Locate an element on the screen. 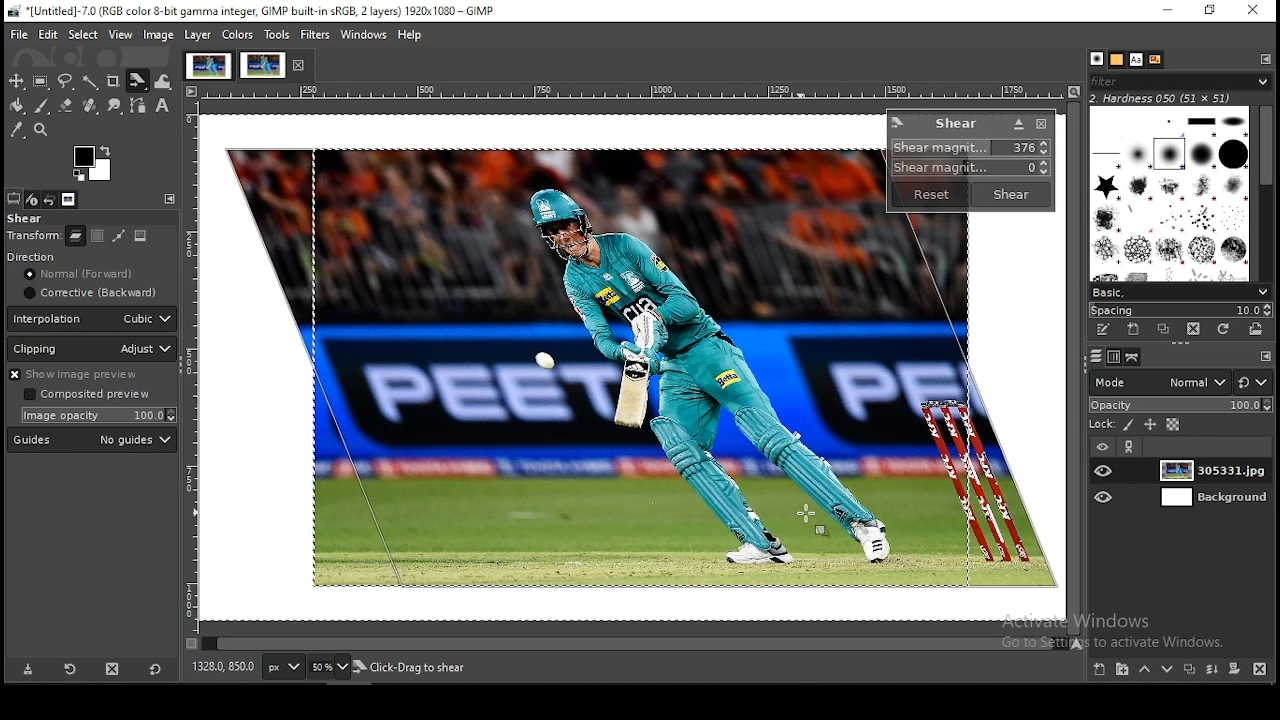 The height and width of the screenshot is (720, 1280). delete this layer is located at coordinates (112, 668).